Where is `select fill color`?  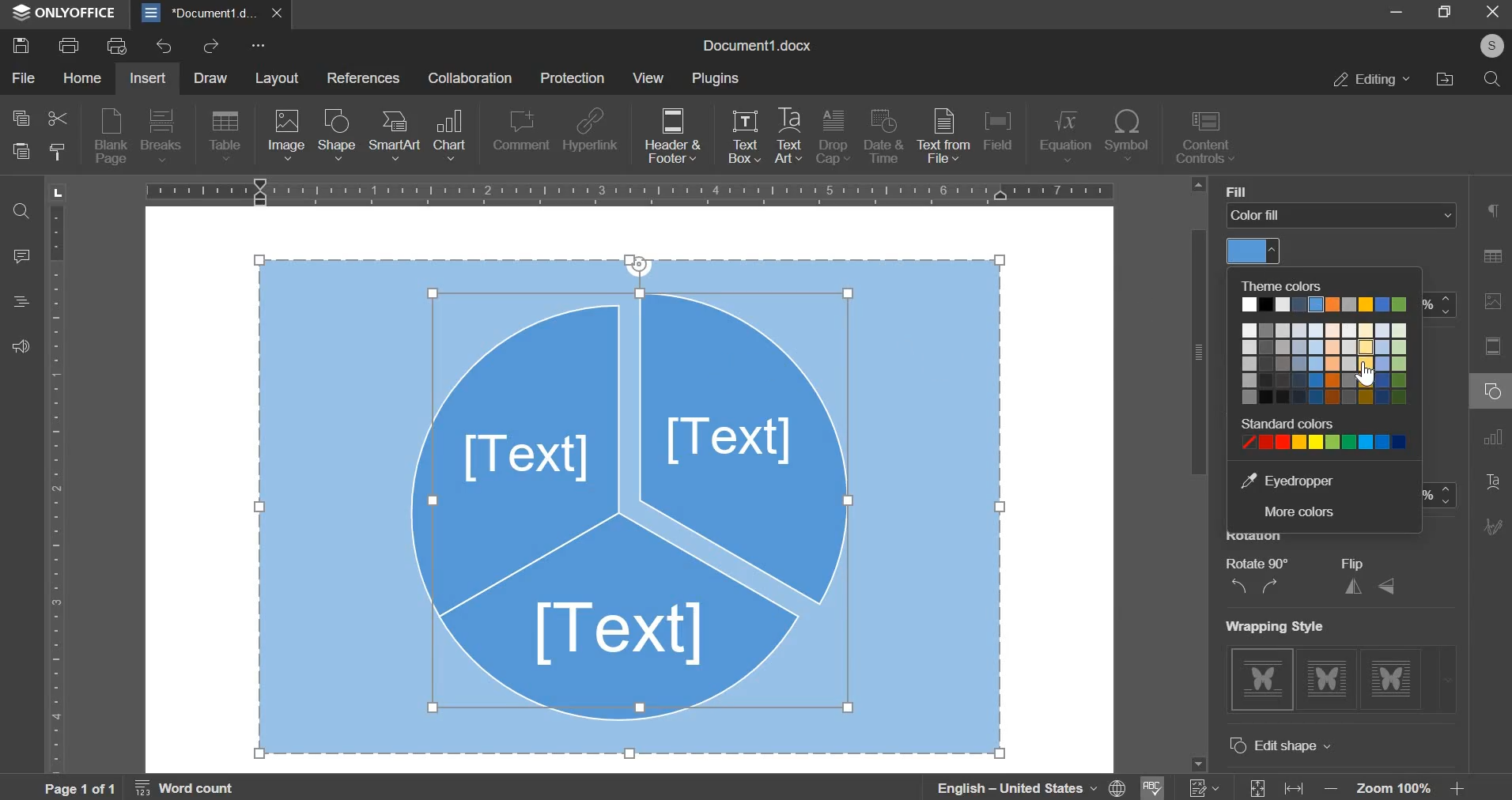 select fill color is located at coordinates (1257, 252).